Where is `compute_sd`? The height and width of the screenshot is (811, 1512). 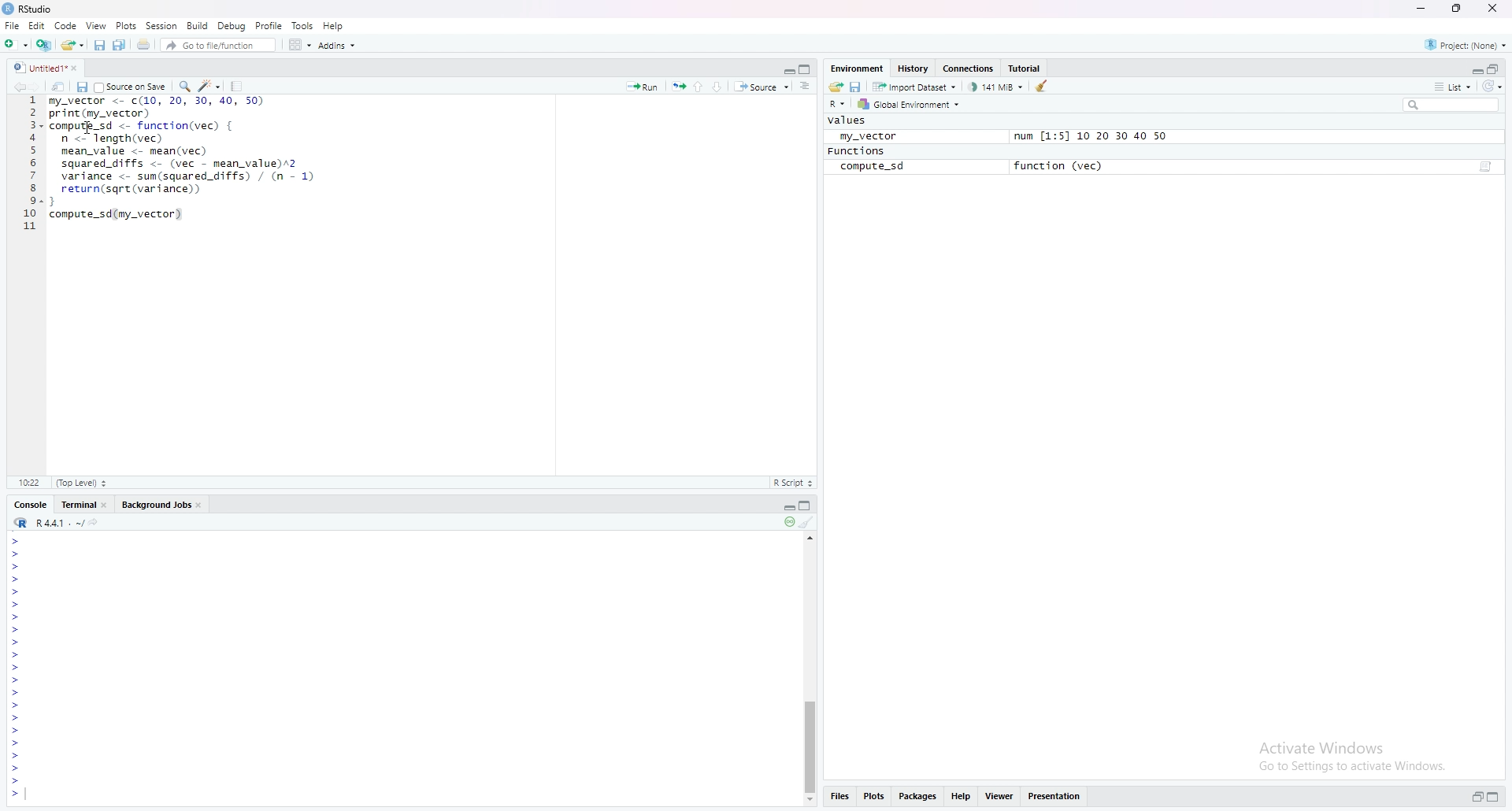
compute_sd is located at coordinates (872, 167).